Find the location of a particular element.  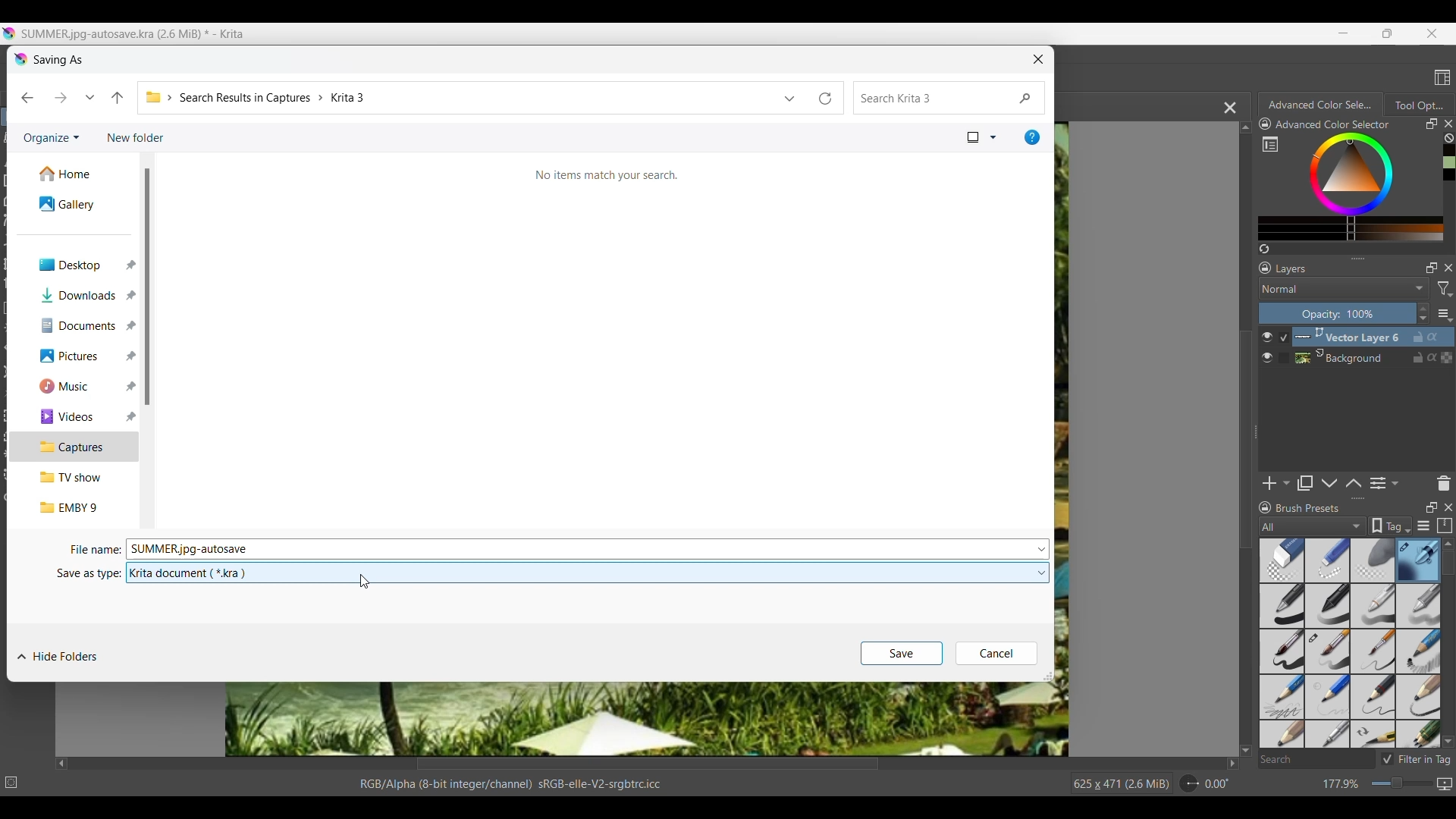

Name of current color setting is located at coordinates (1332, 124).